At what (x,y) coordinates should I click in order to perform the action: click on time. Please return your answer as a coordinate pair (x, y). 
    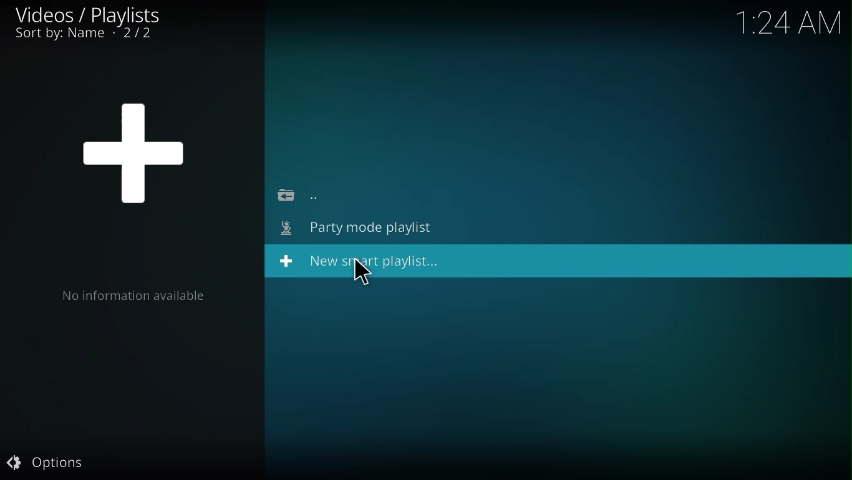
    Looking at the image, I should click on (792, 20).